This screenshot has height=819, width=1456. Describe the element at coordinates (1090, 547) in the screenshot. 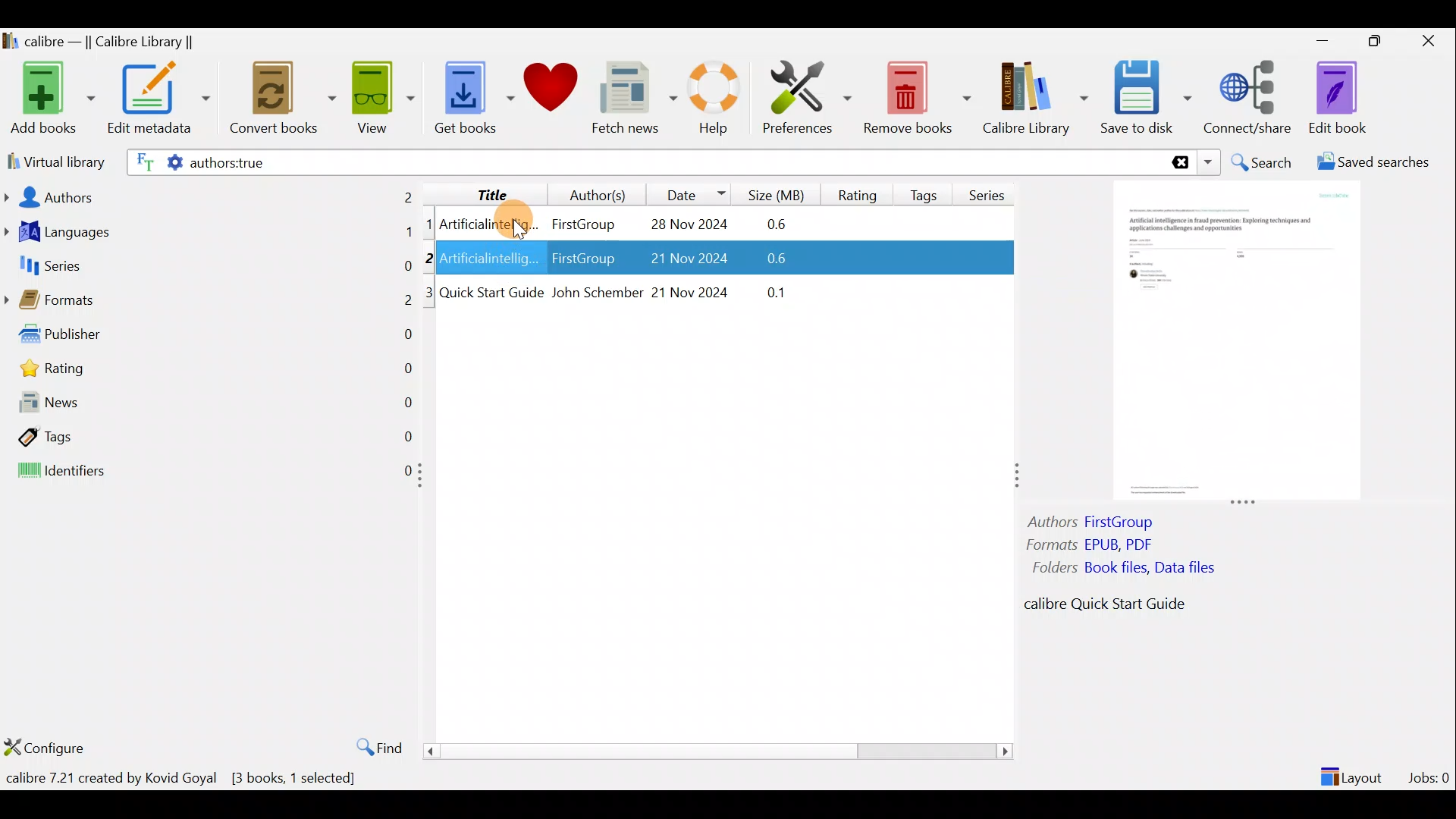

I see `Formats: EPUB, PDF` at that location.